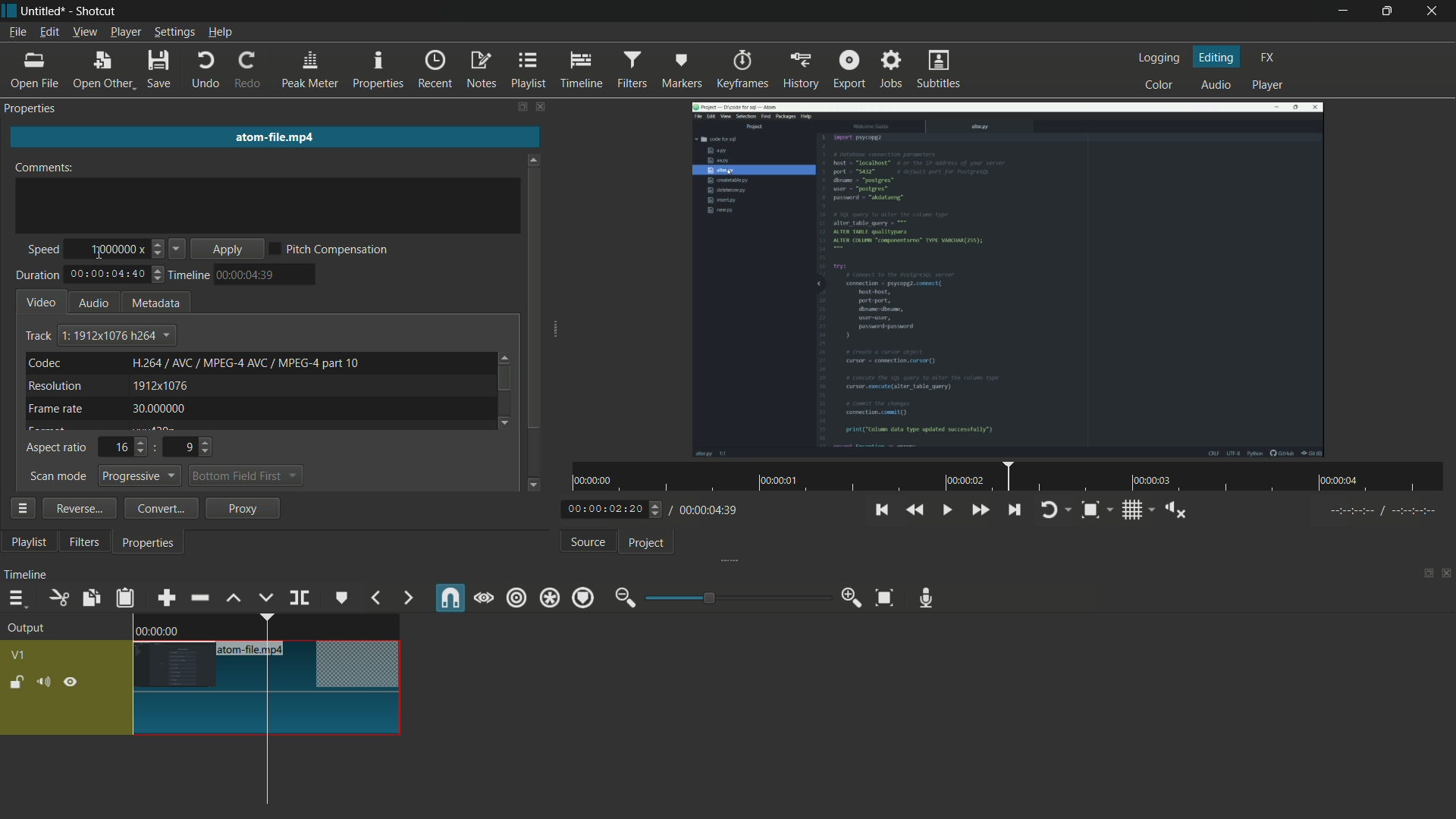 This screenshot has height=819, width=1456. Describe the element at coordinates (945, 510) in the screenshot. I see `toggle play or pause` at that location.